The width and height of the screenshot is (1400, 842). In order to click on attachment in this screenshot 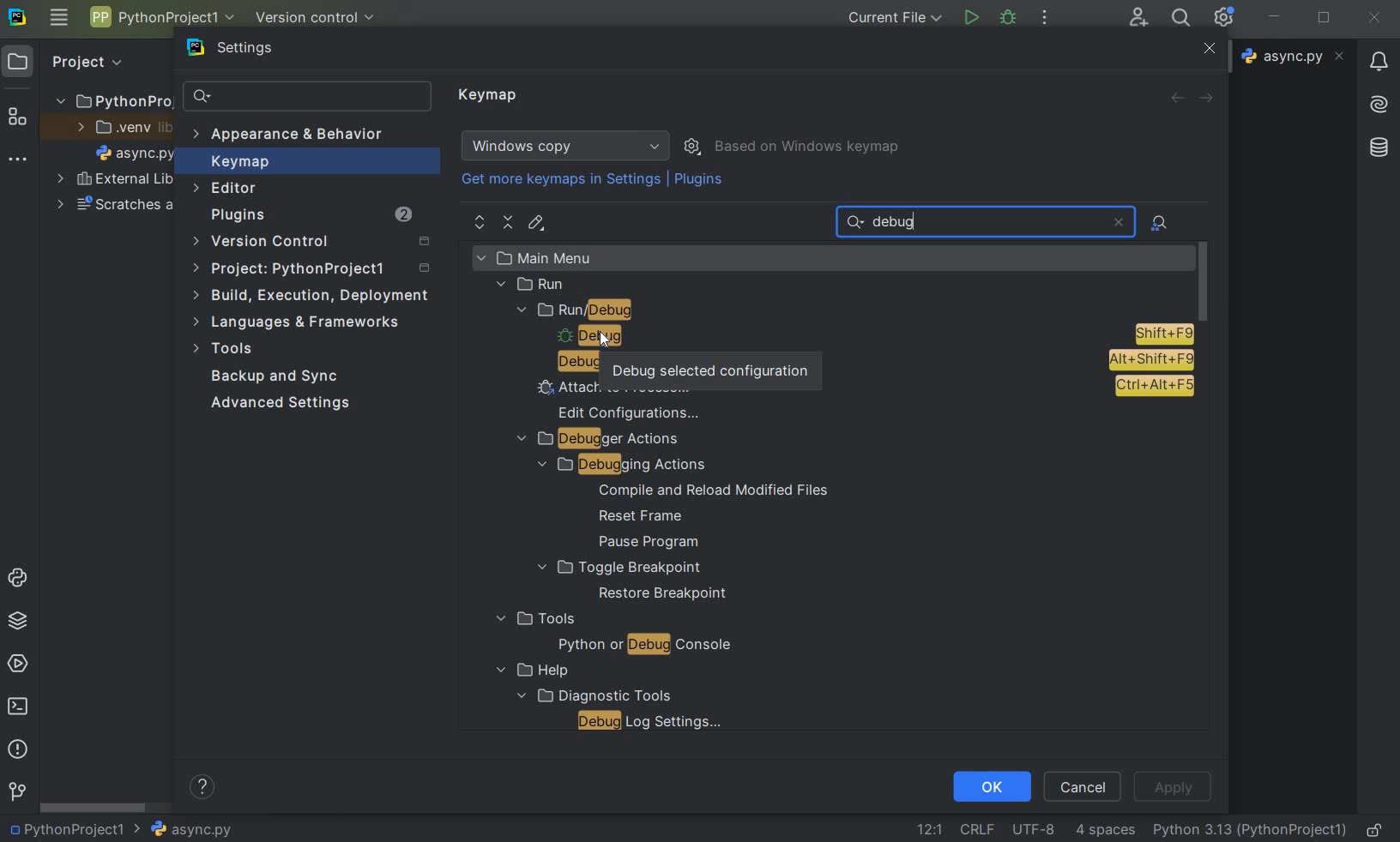, I will do `click(861, 388)`.